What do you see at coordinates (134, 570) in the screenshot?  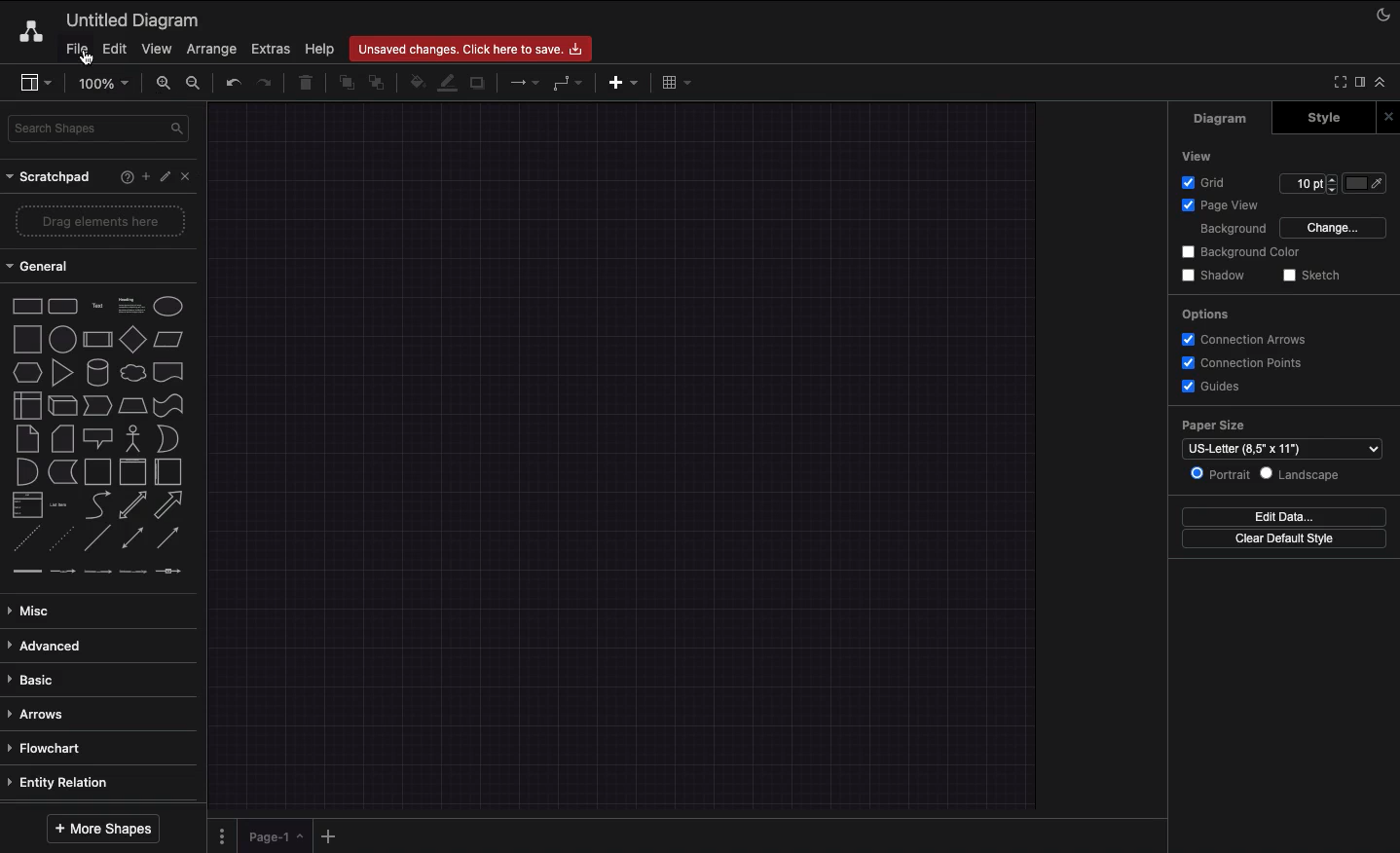 I see `connector 4` at bounding box center [134, 570].